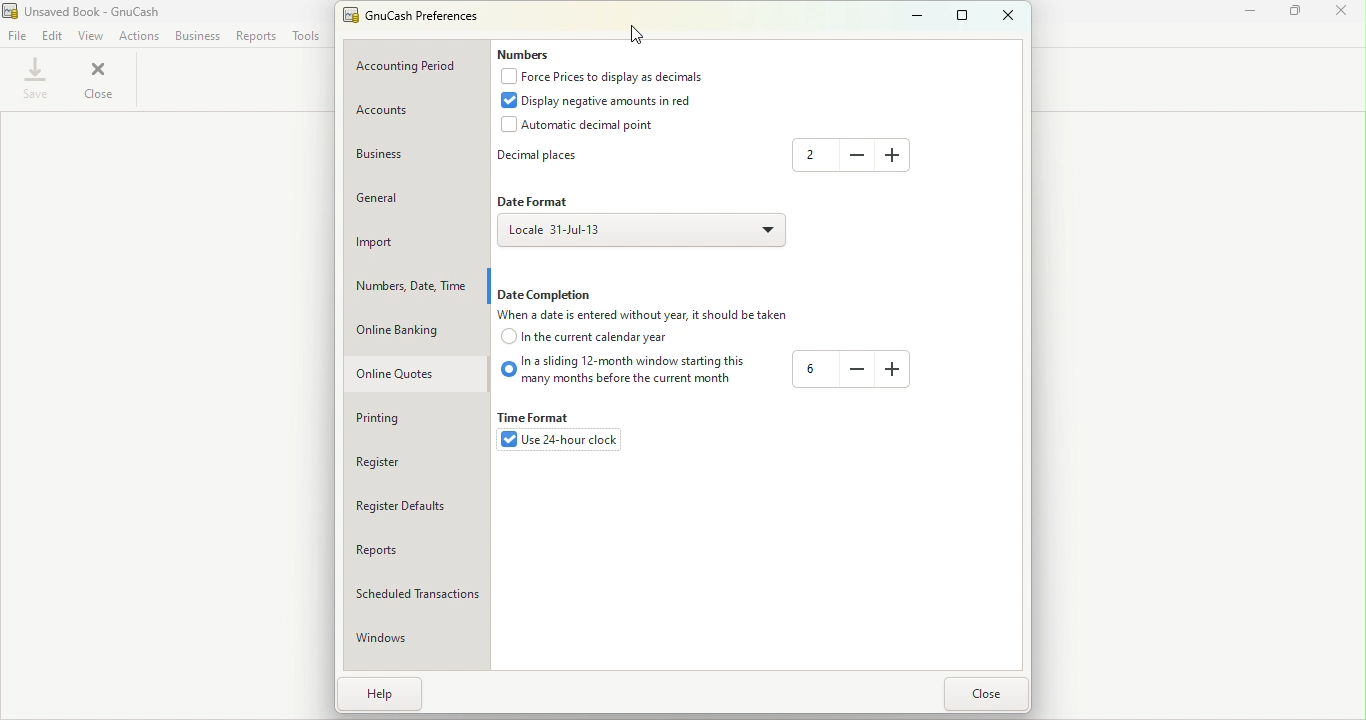 This screenshot has height=720, width=1366. I want to click on Business, so click(198, 37).